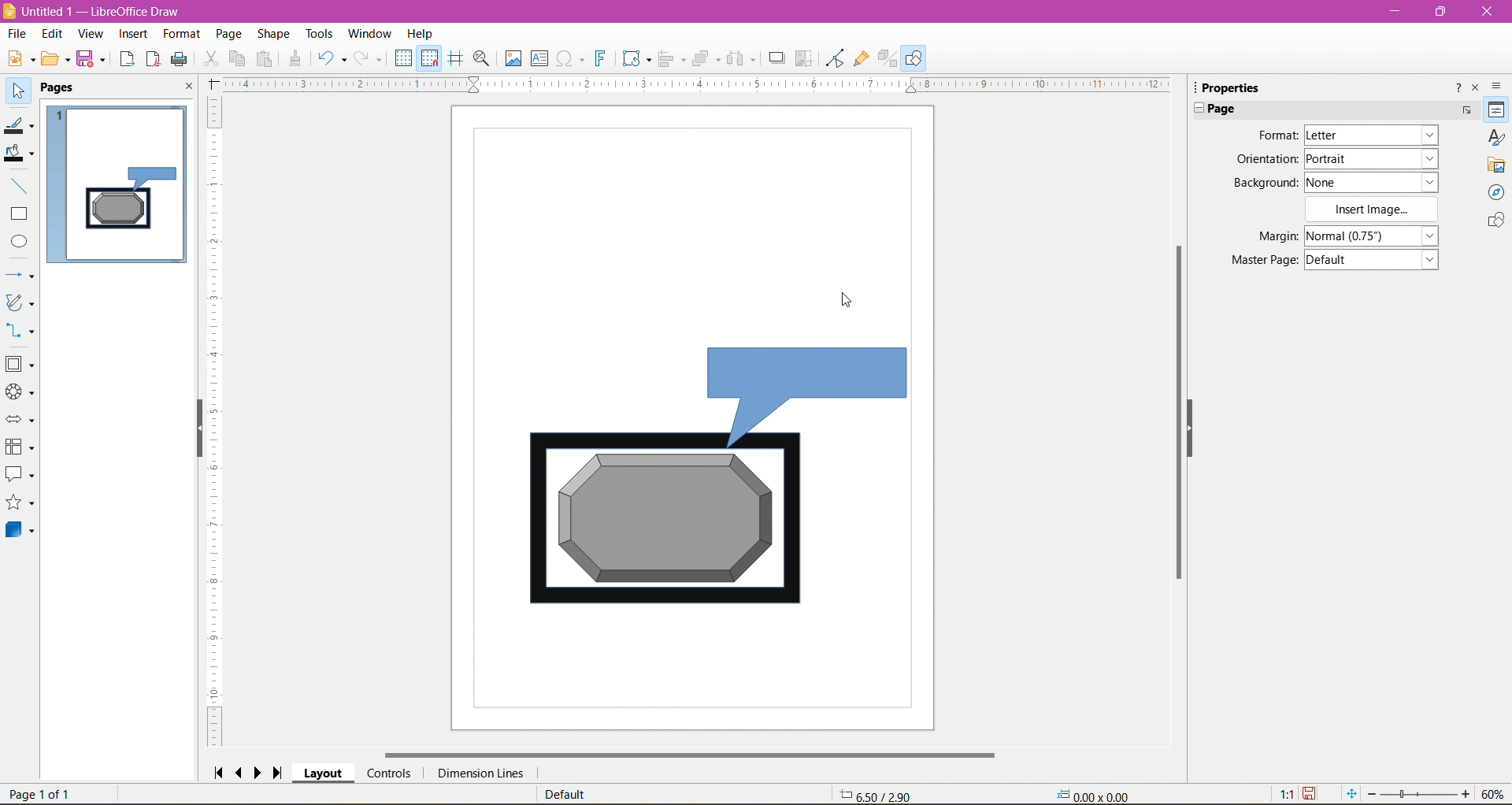  I want to click on Snap to Grid, so click(430, 59).